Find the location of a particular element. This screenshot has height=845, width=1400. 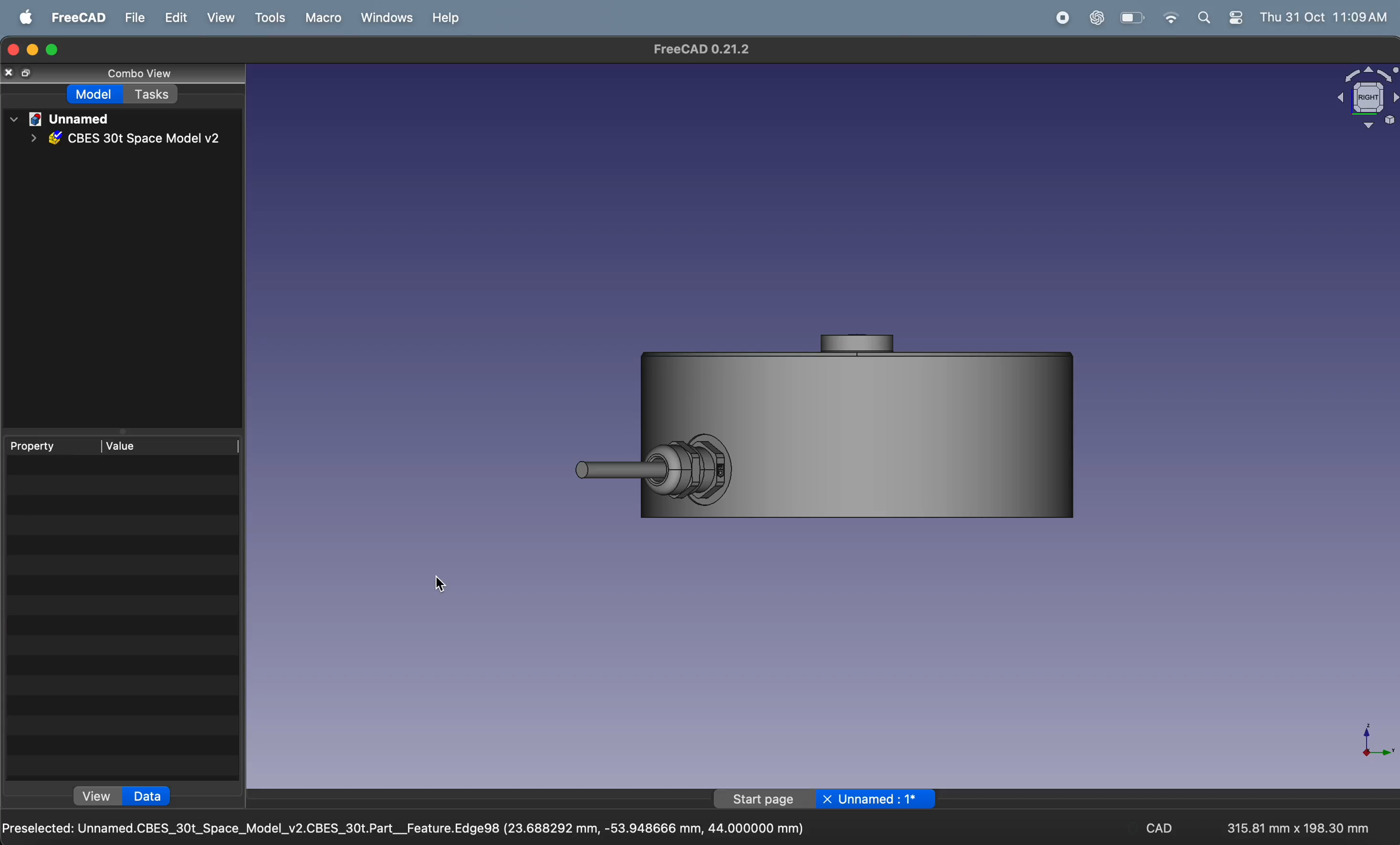

restore is located at coordinates (35, 50).